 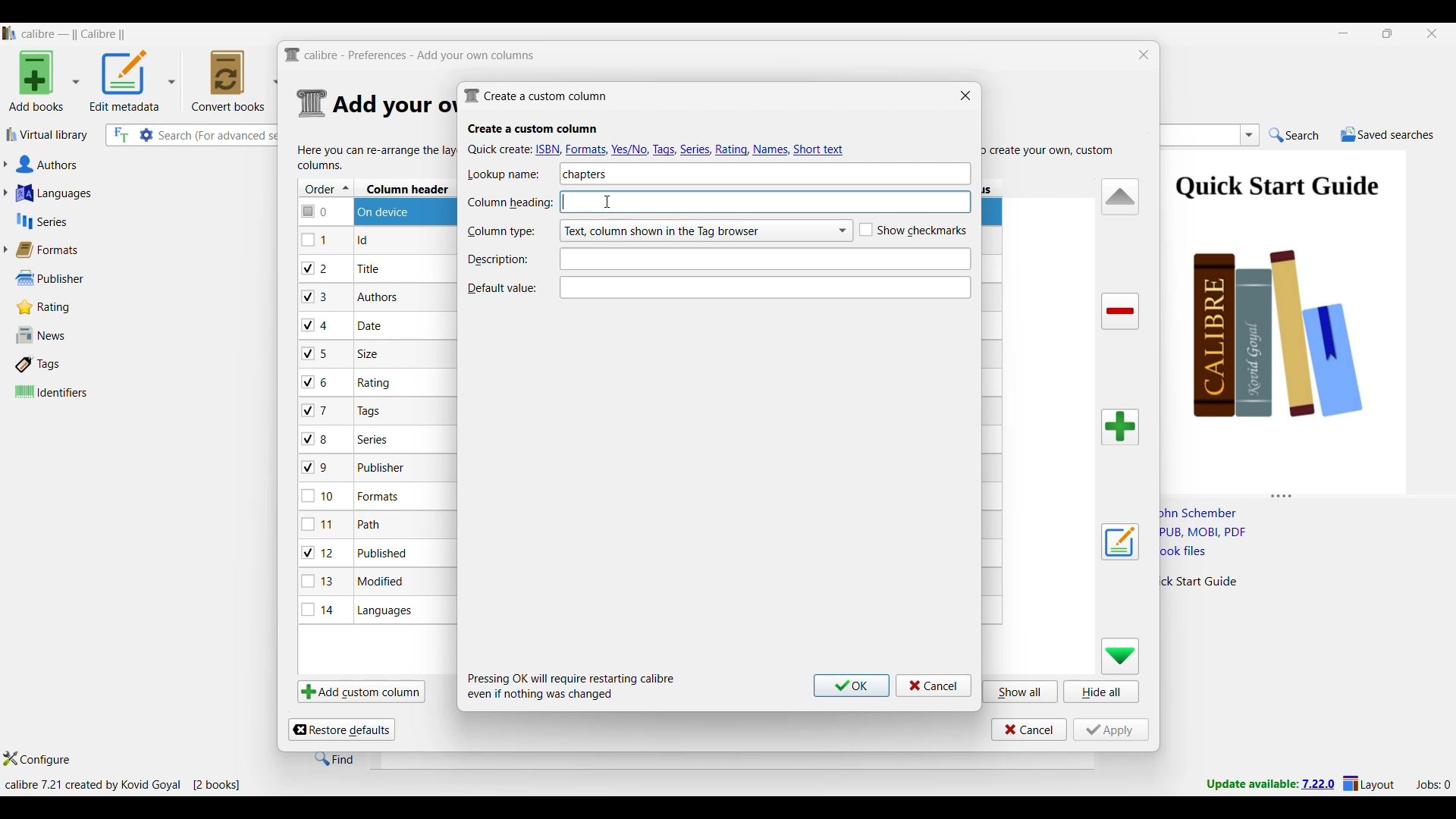 What do you see at coordinates (54, 249) in the screenshot?
I see `Formats` at bounding box center [54, 249].